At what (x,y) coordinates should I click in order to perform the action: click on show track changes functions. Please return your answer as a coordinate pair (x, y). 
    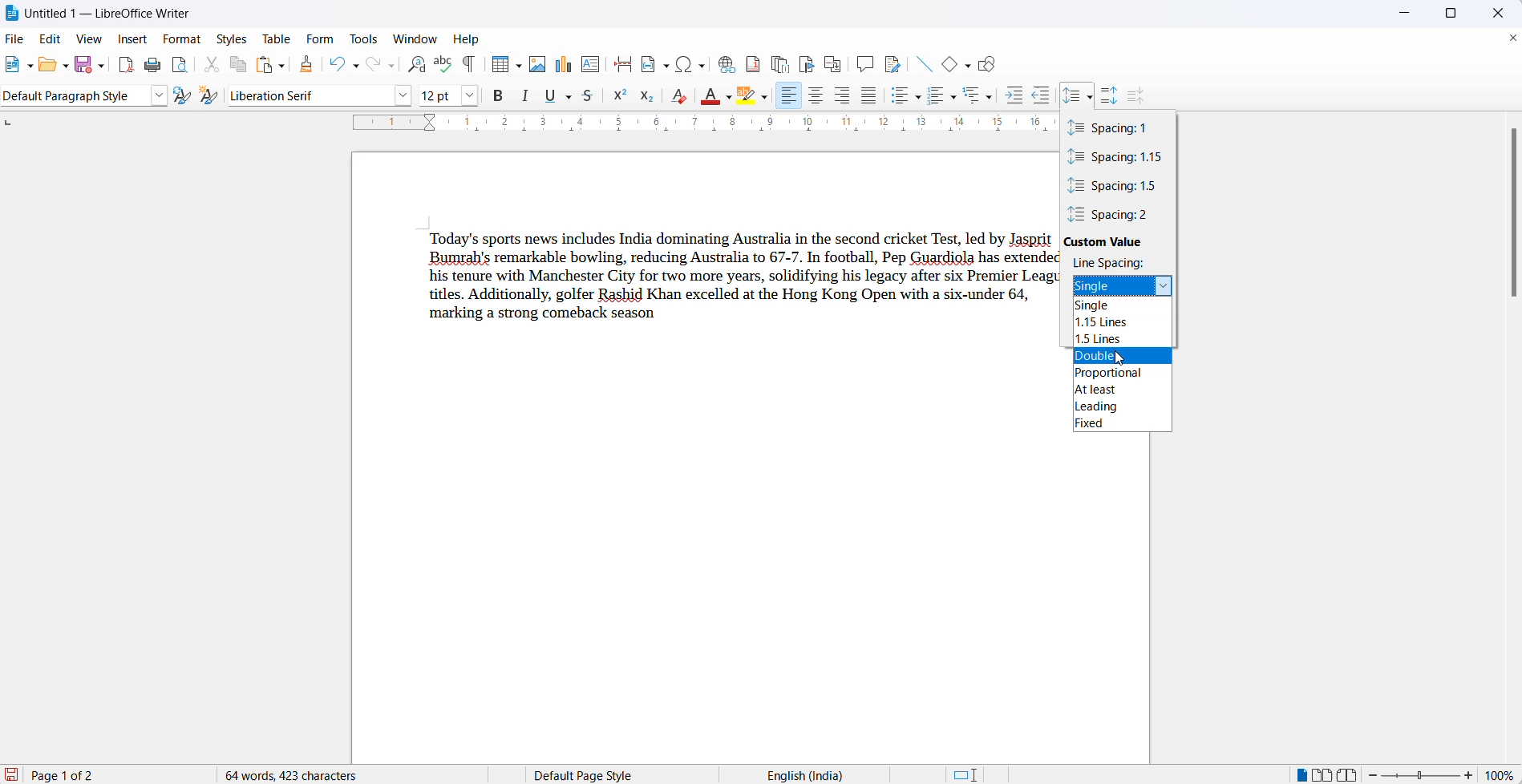
    Looking at the image, I should click on (893, 63).